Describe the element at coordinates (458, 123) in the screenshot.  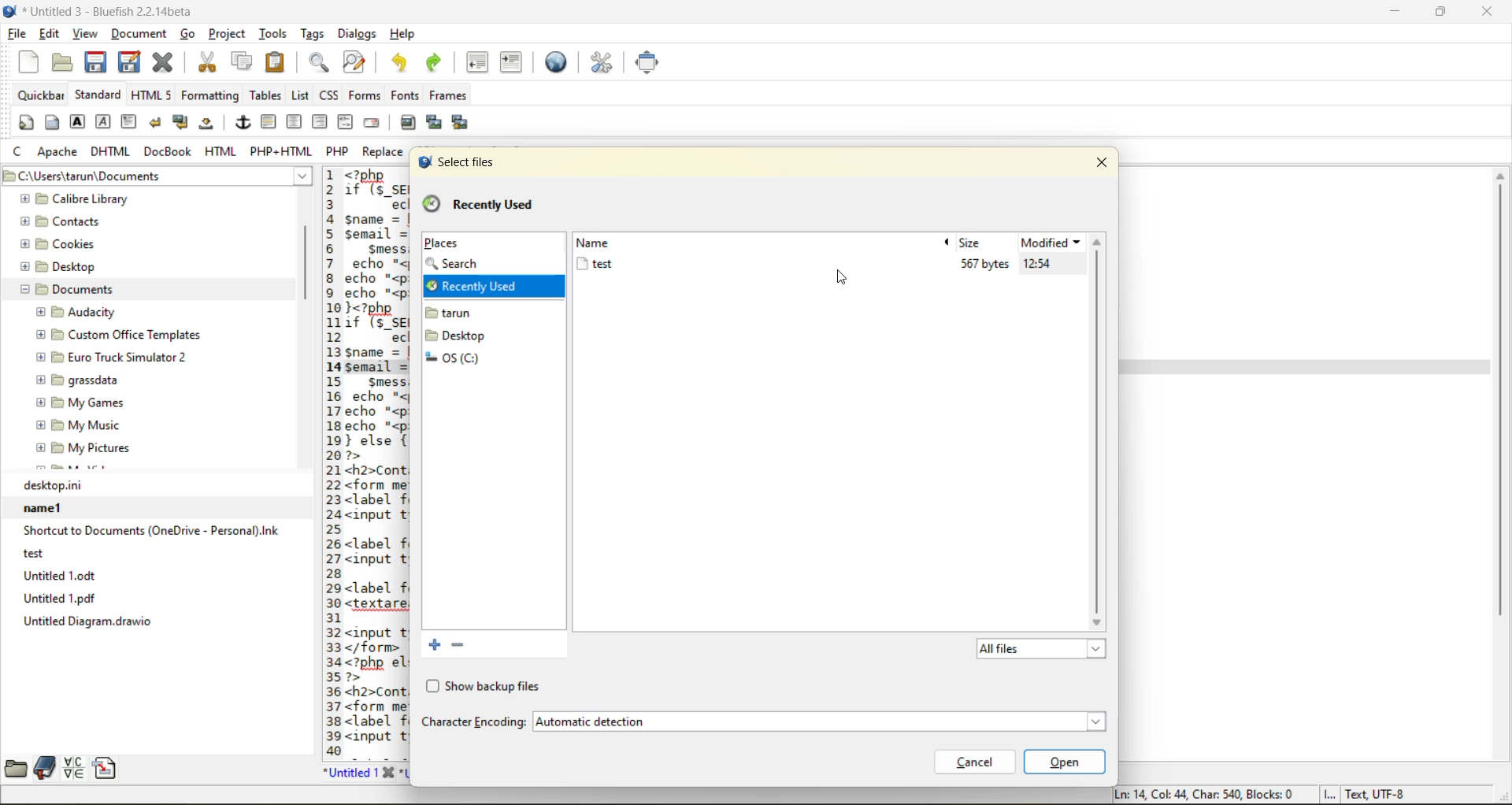
I see `multi thumbnail` at that location.